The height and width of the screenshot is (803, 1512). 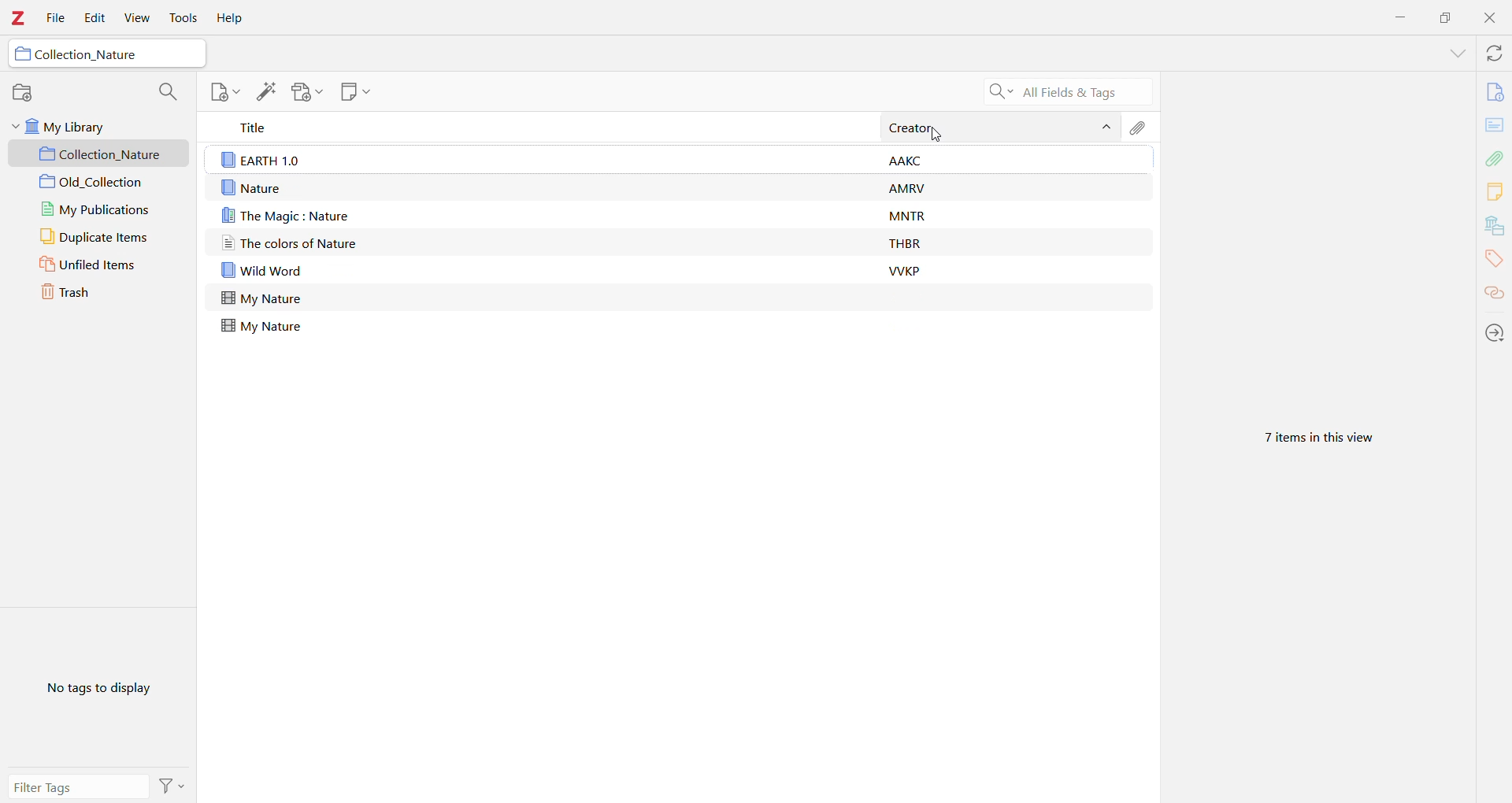 What do you see at coordinates (1447, 17) in the screenshot?
I see `Restore Down` at bounding box center [1447, 17].